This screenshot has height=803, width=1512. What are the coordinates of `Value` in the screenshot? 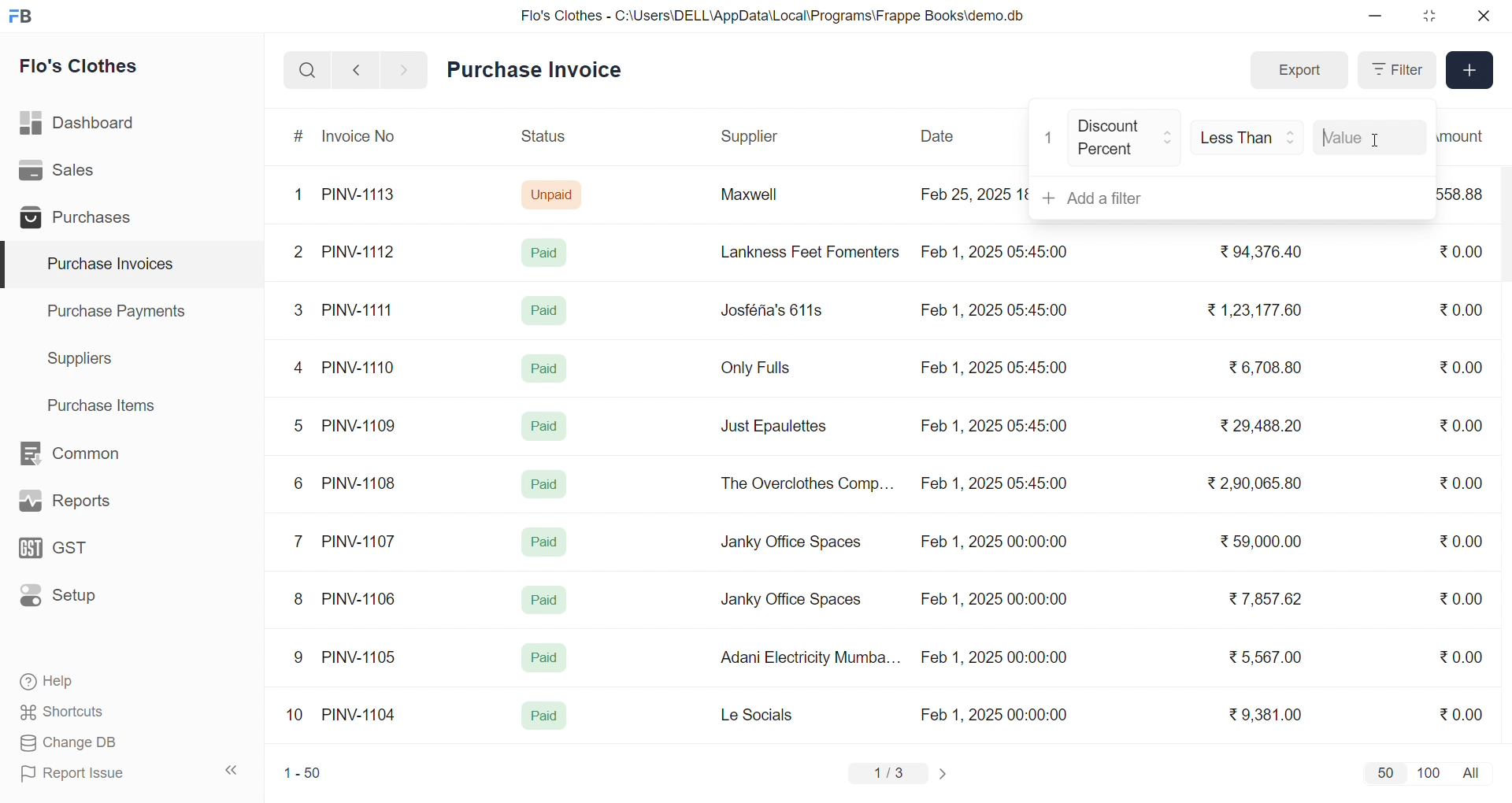 It's located at (1366, 134).